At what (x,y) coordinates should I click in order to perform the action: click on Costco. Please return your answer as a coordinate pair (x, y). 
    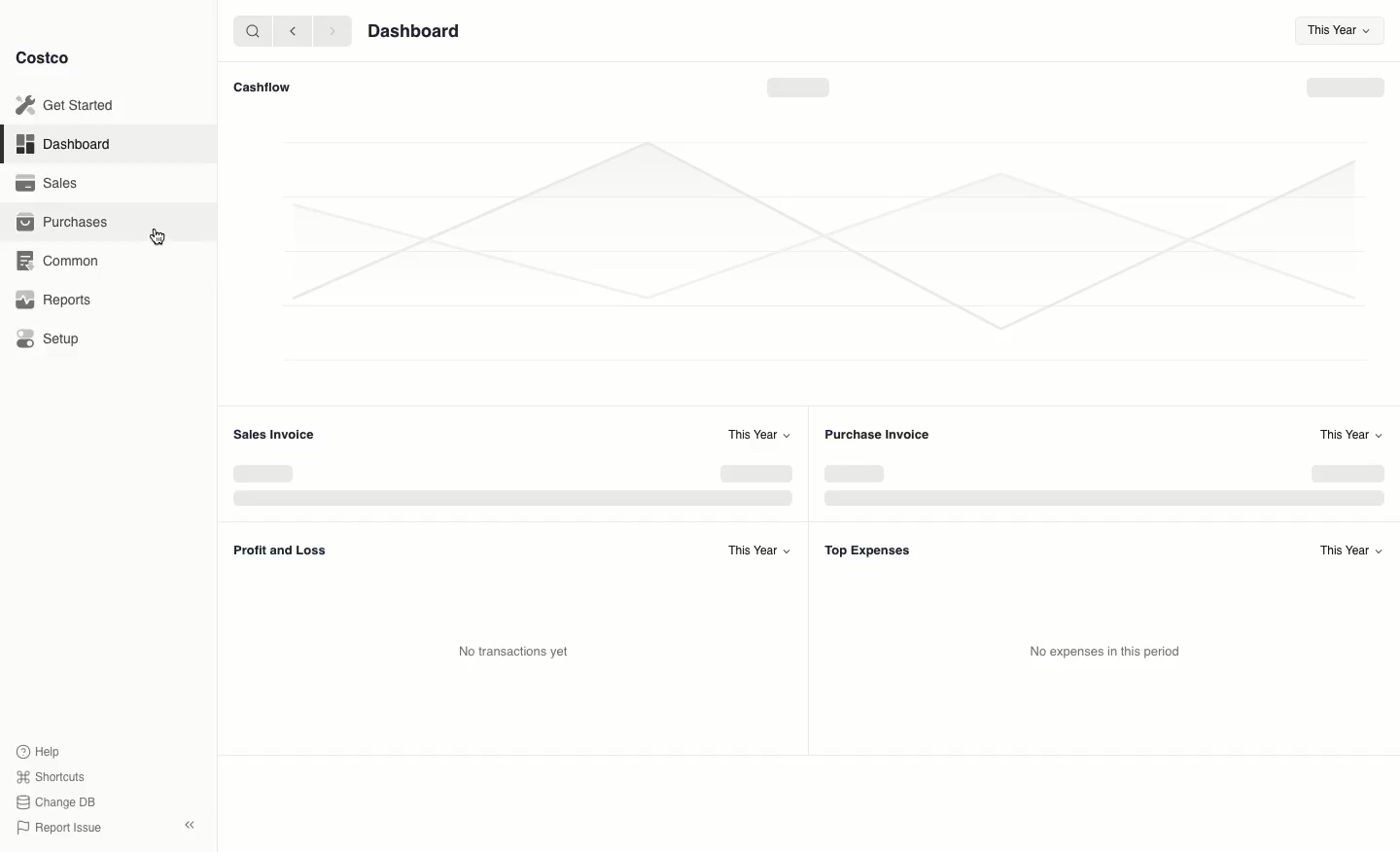
    Looking at the image, I should click on (42, 57).